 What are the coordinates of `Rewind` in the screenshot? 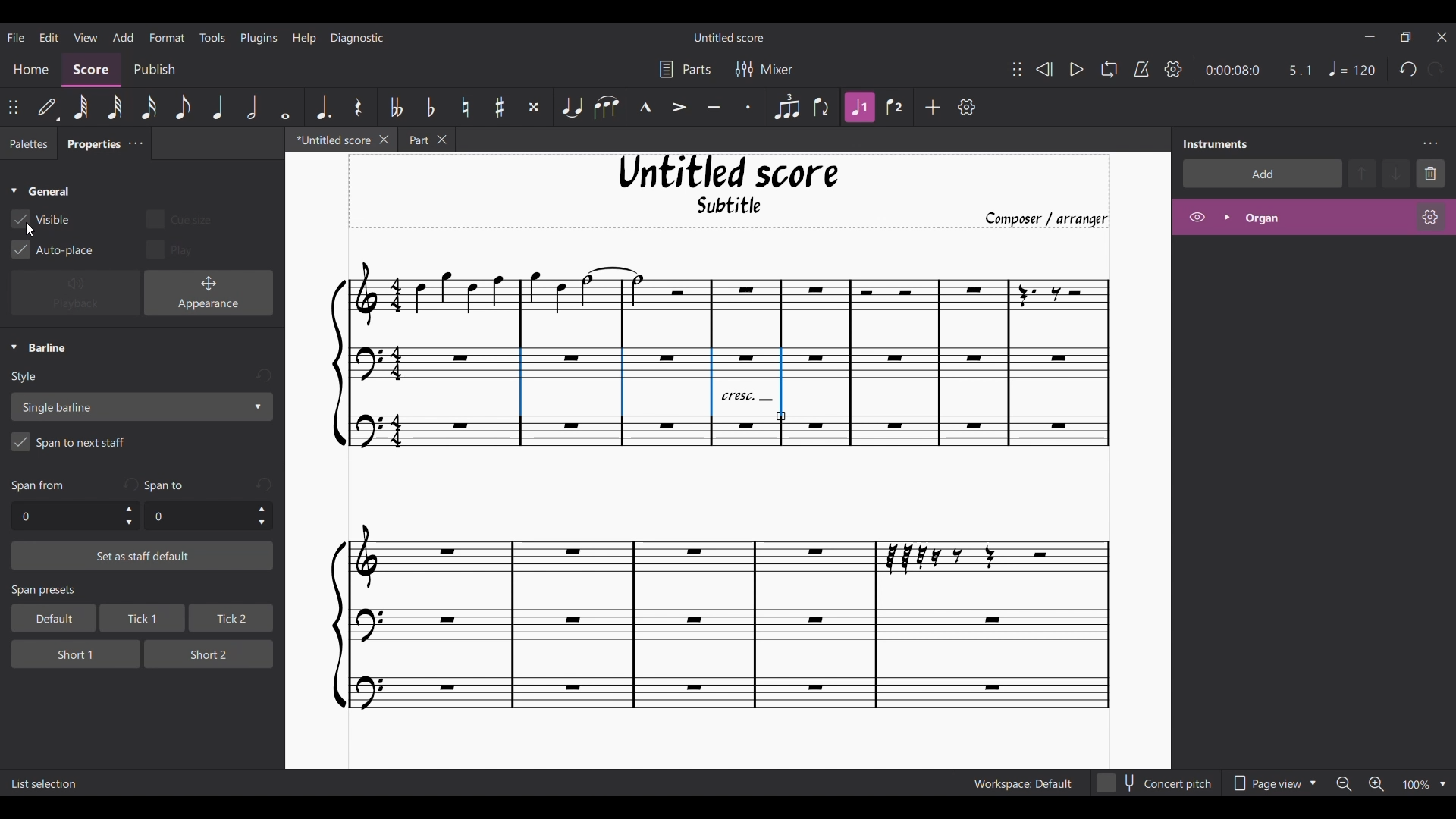 It's located at (1043, 69).